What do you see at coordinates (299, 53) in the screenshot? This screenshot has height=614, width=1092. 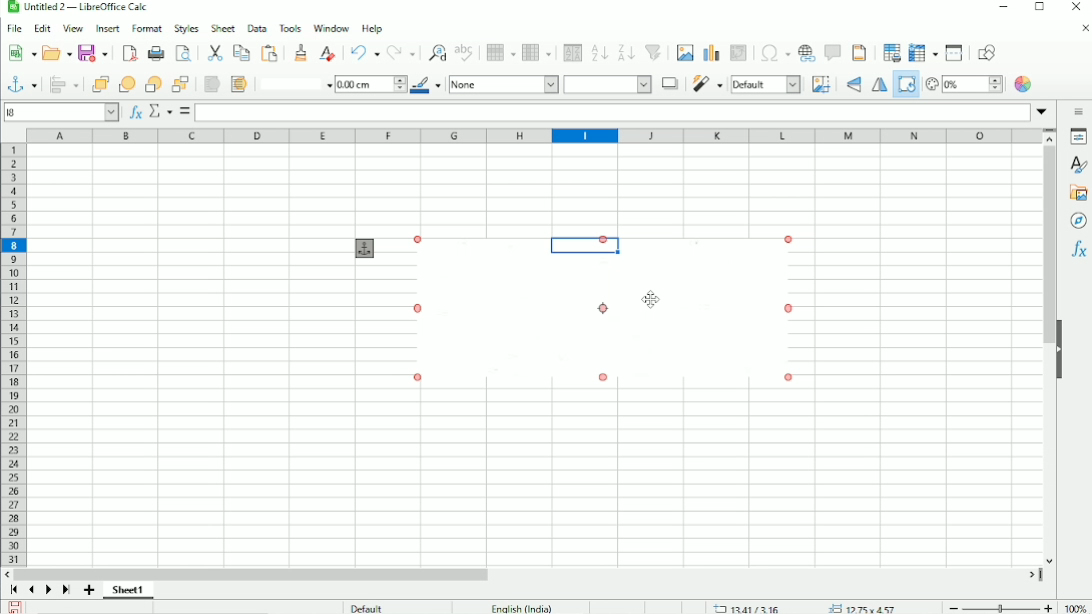 I see `Clone formatting` at bounding box center [299, 53].